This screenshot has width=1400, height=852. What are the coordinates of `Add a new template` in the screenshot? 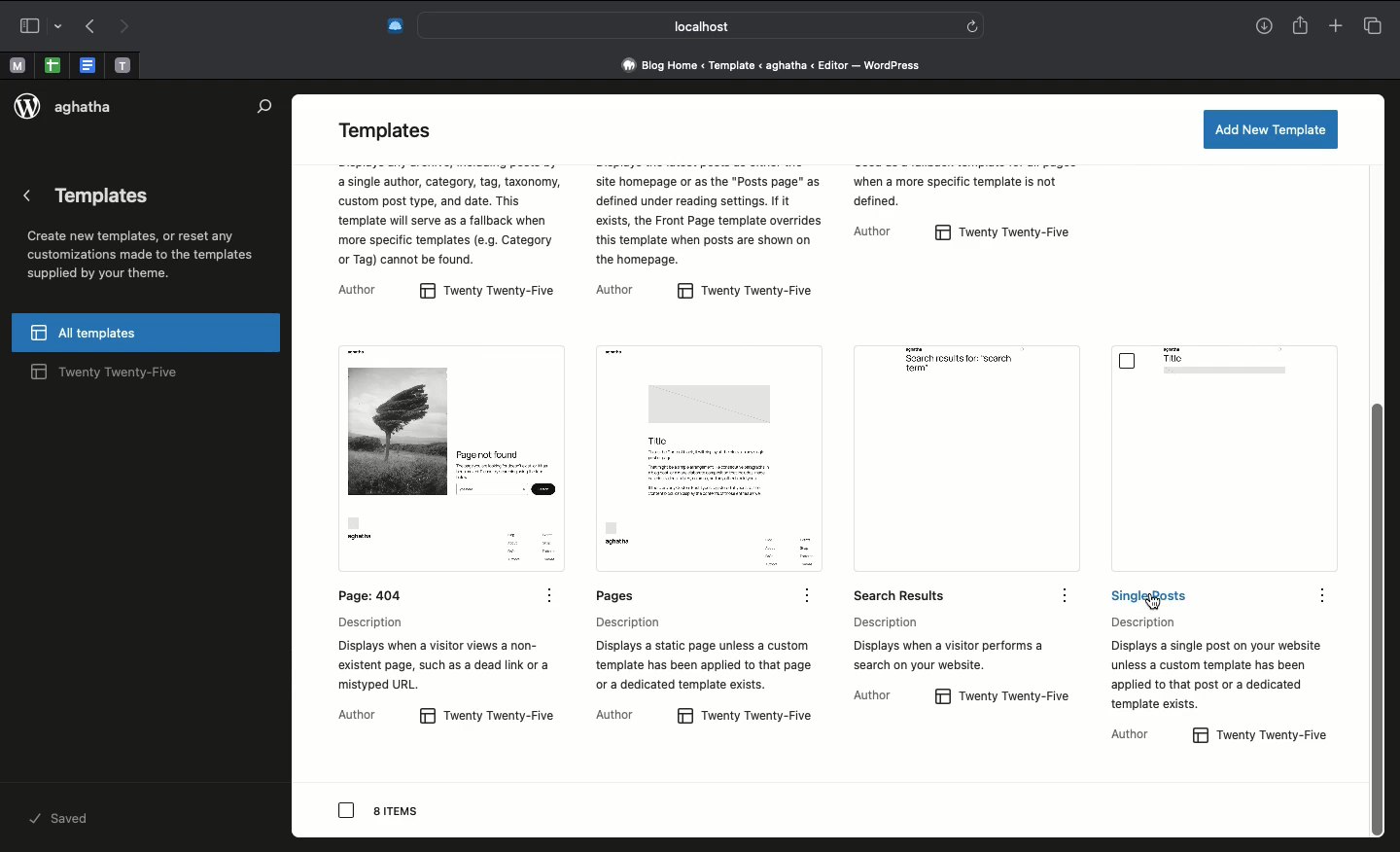 It's located at (1269, 129).